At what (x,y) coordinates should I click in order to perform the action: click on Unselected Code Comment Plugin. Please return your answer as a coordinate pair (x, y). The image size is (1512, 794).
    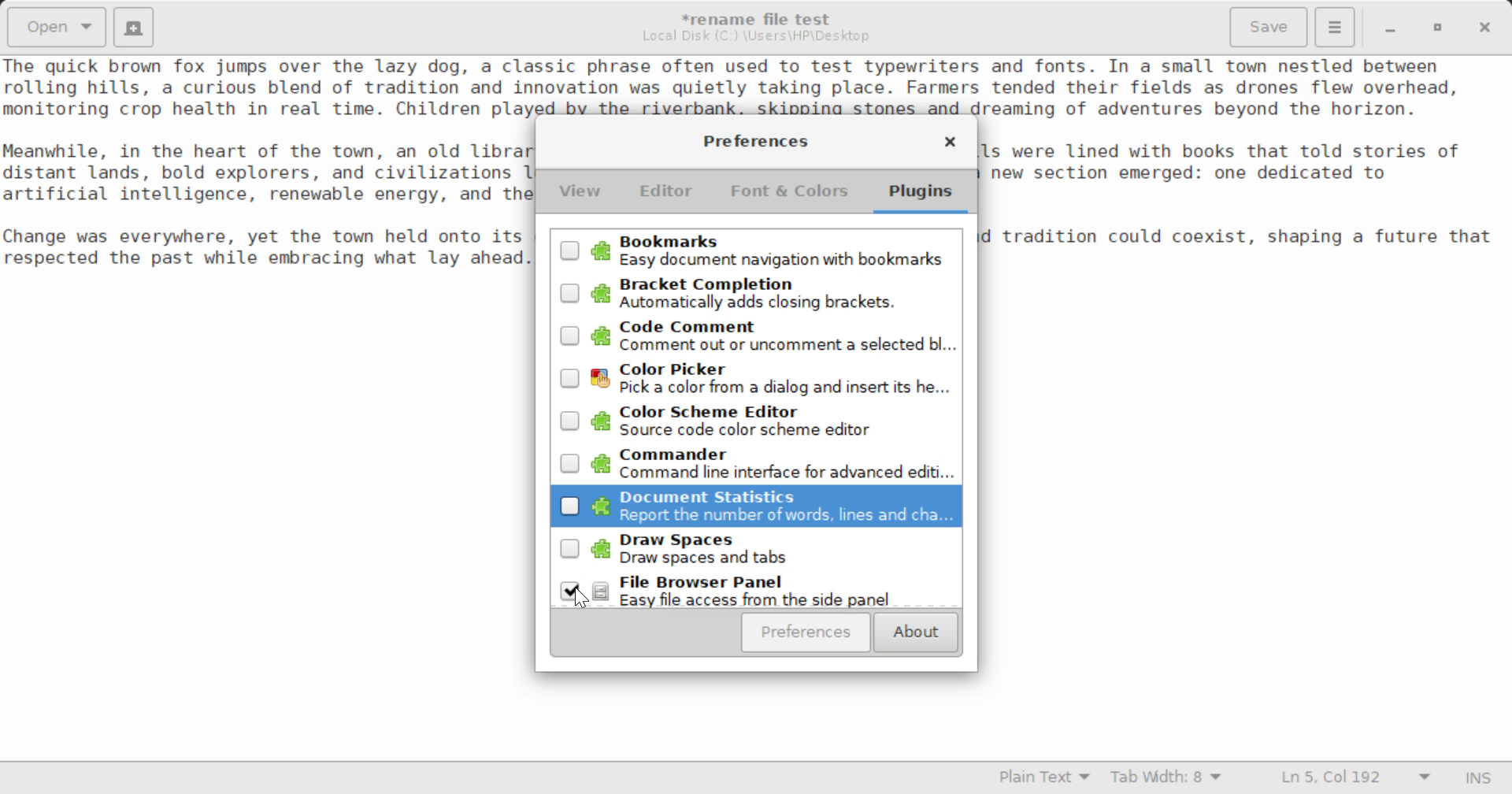
    Looking at the image, I should click on (761, 337).